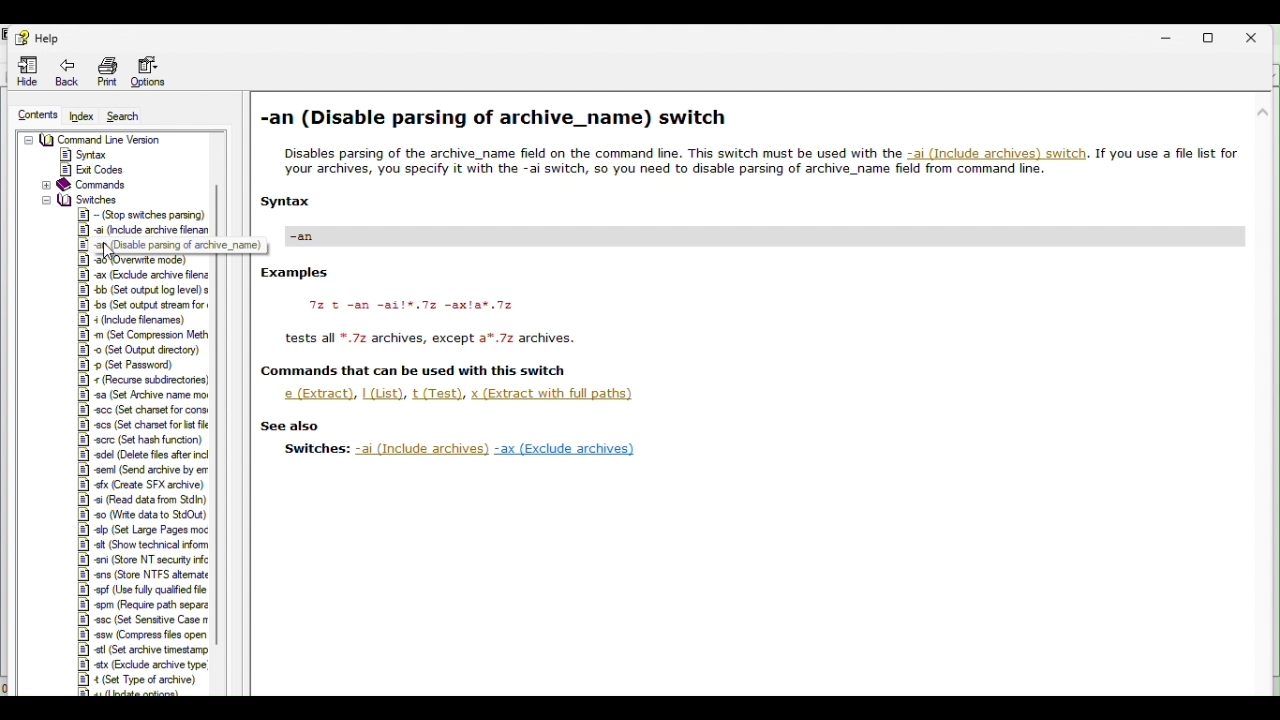 The image size is (1280, 720). I want to click on §] sa (Set Archive name mor, so click(143, 396).